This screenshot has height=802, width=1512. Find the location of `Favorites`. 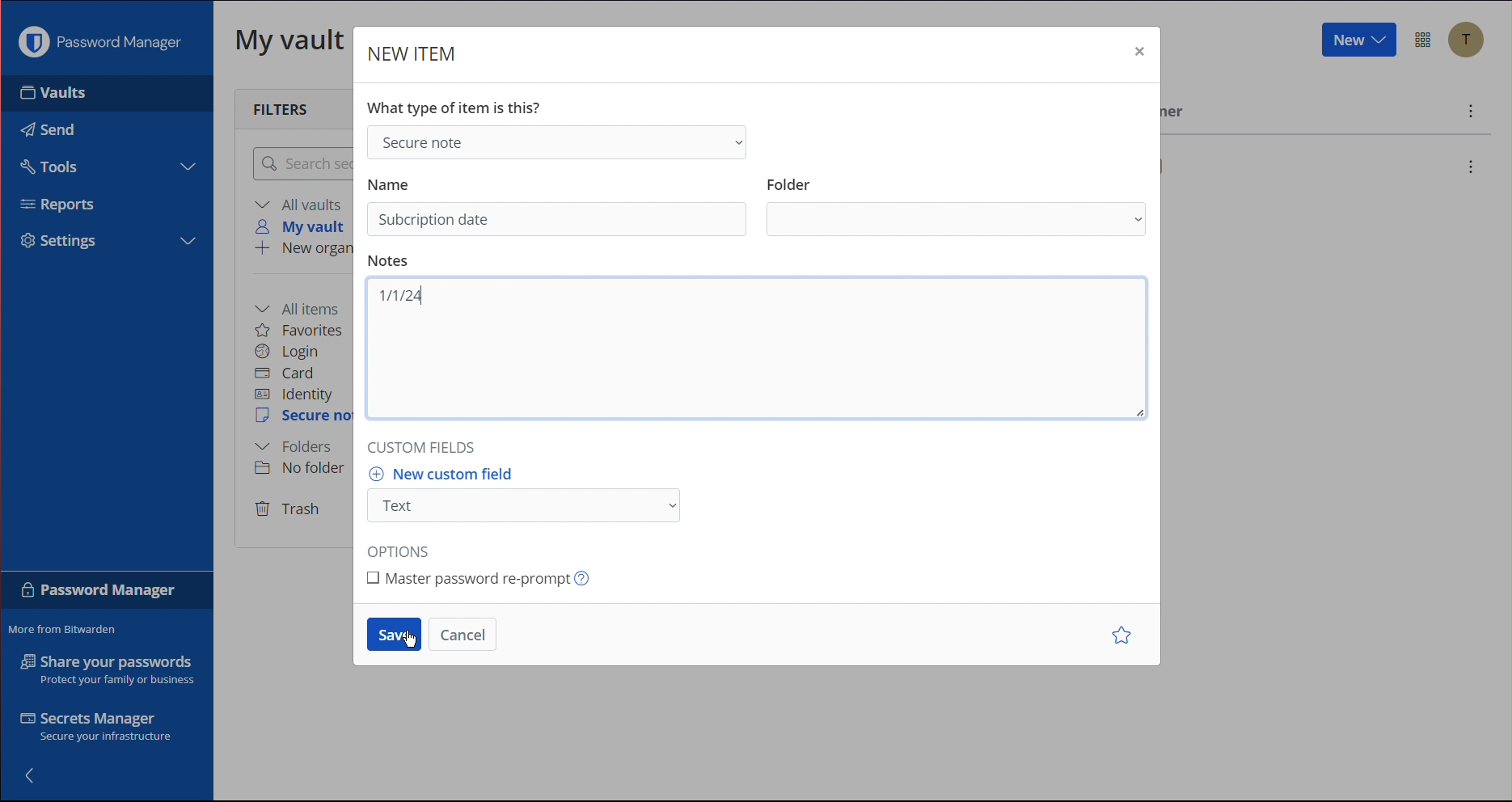

Favorites is located at coordinates (300, 330).